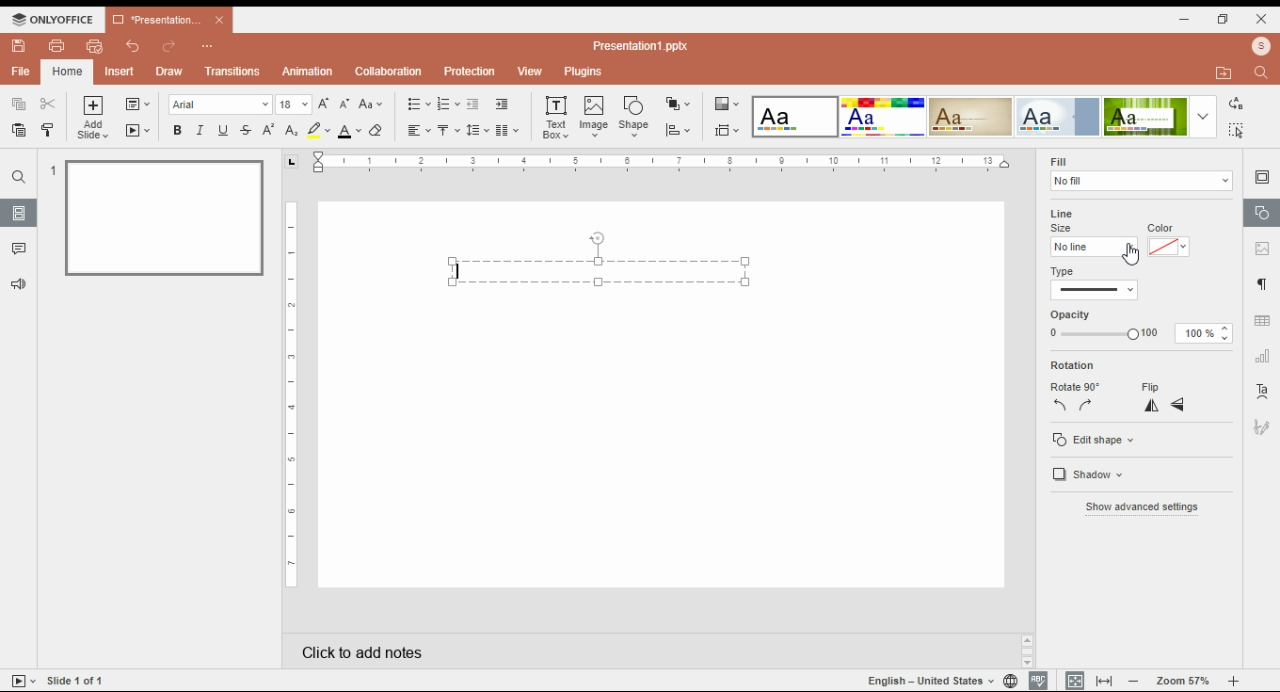  What do you see at coordinates (246, 131) in the screenshot?
I see `strikethrough` at bounding box center [246, 131].